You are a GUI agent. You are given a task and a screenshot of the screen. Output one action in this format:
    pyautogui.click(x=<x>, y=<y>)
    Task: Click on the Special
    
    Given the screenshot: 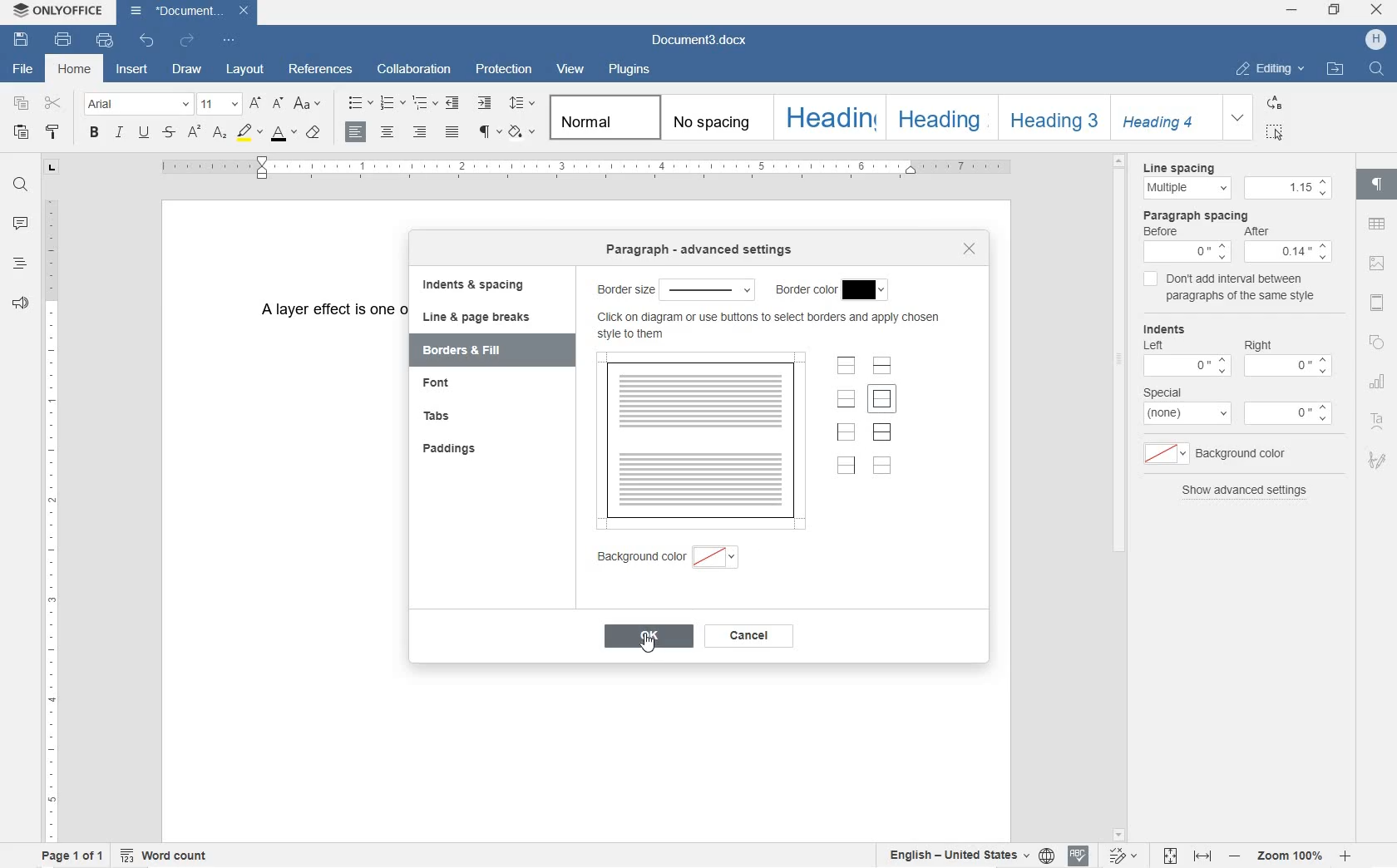 What is the action you would take?
    pyautogui.click(x=1187, y=403)
    